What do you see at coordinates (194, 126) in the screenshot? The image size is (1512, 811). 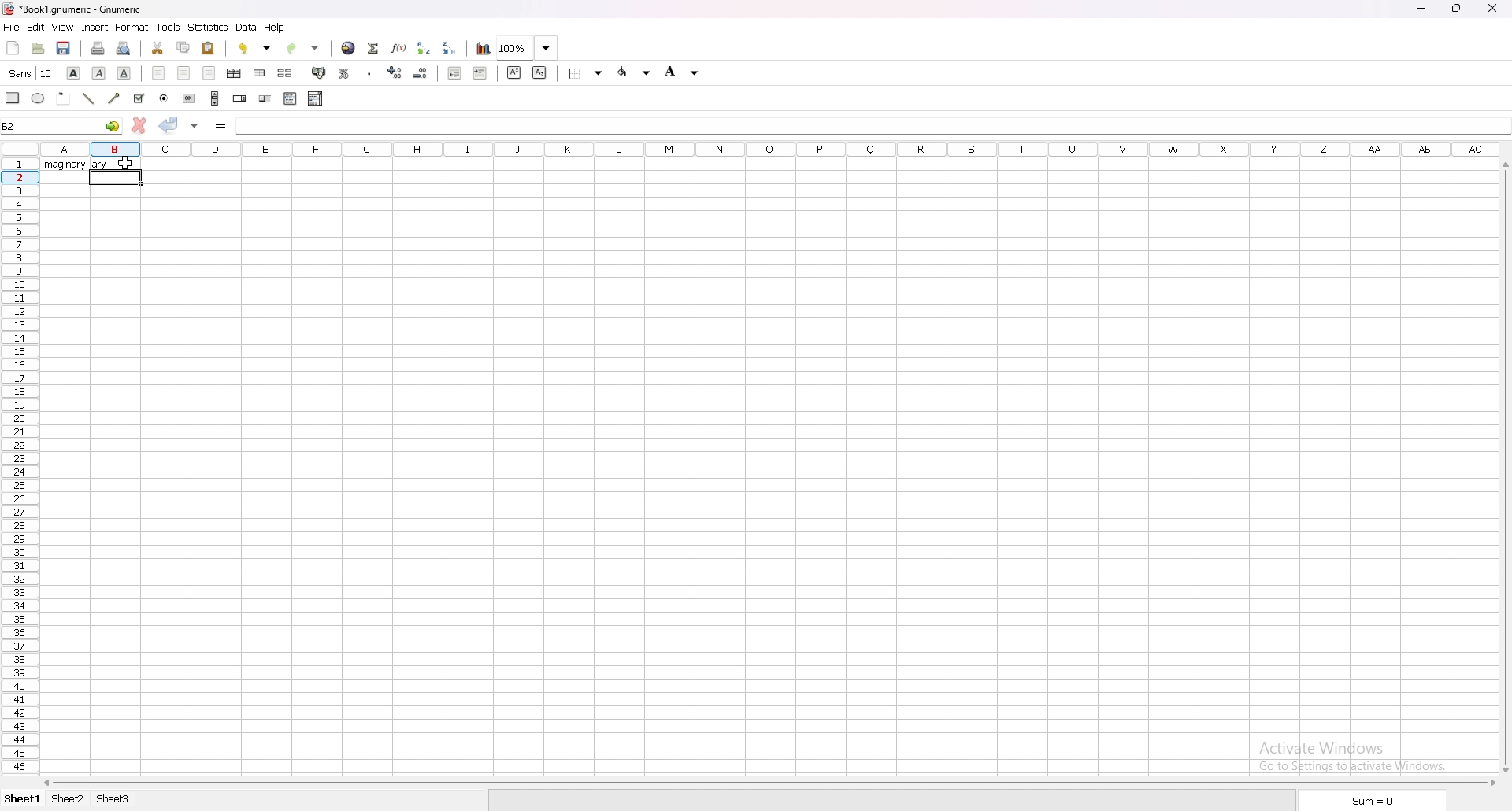 I see `accept changes in all cells` at bounding box center [194, 126].